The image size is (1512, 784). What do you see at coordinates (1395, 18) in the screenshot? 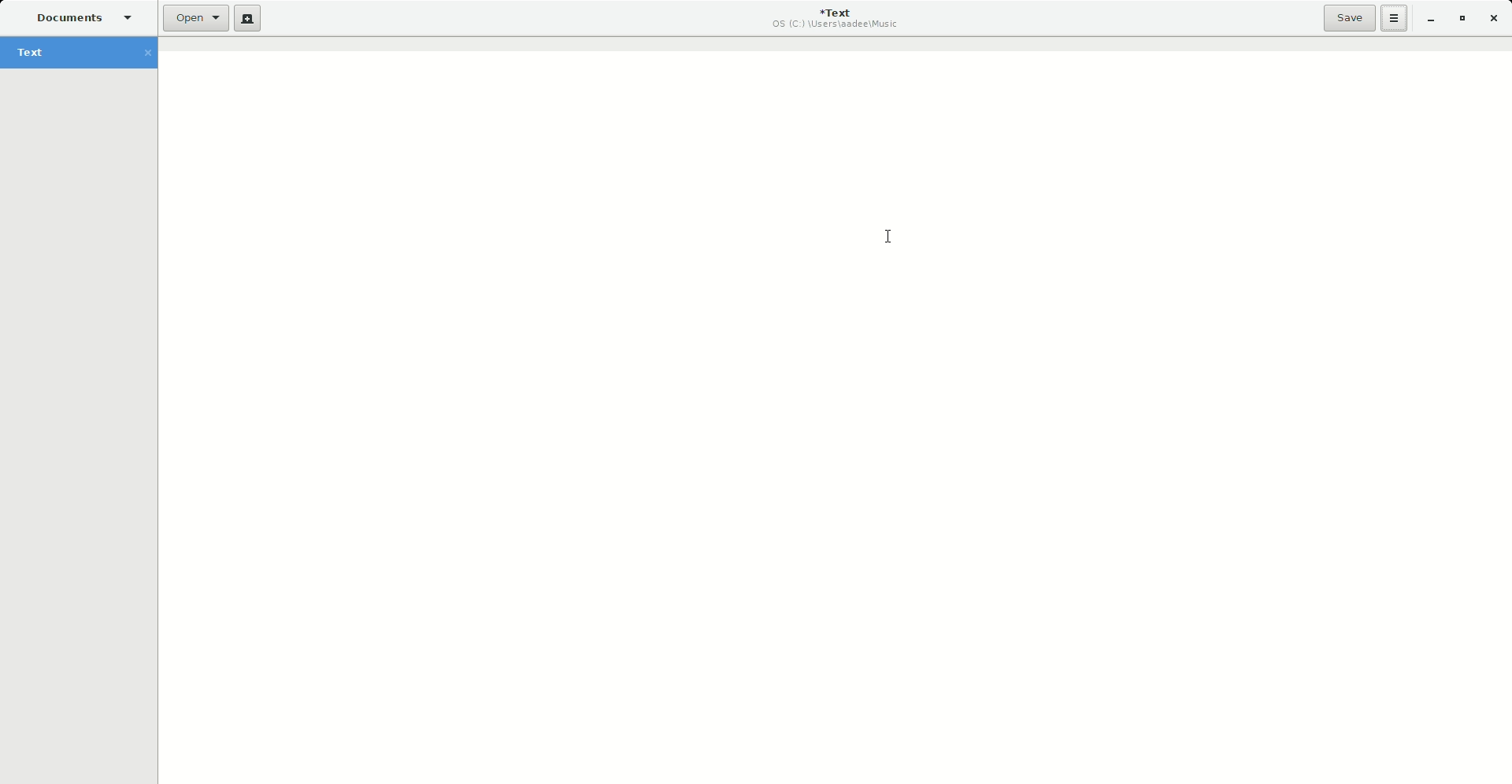
I see `Options` at bounding box center [1395, 18].